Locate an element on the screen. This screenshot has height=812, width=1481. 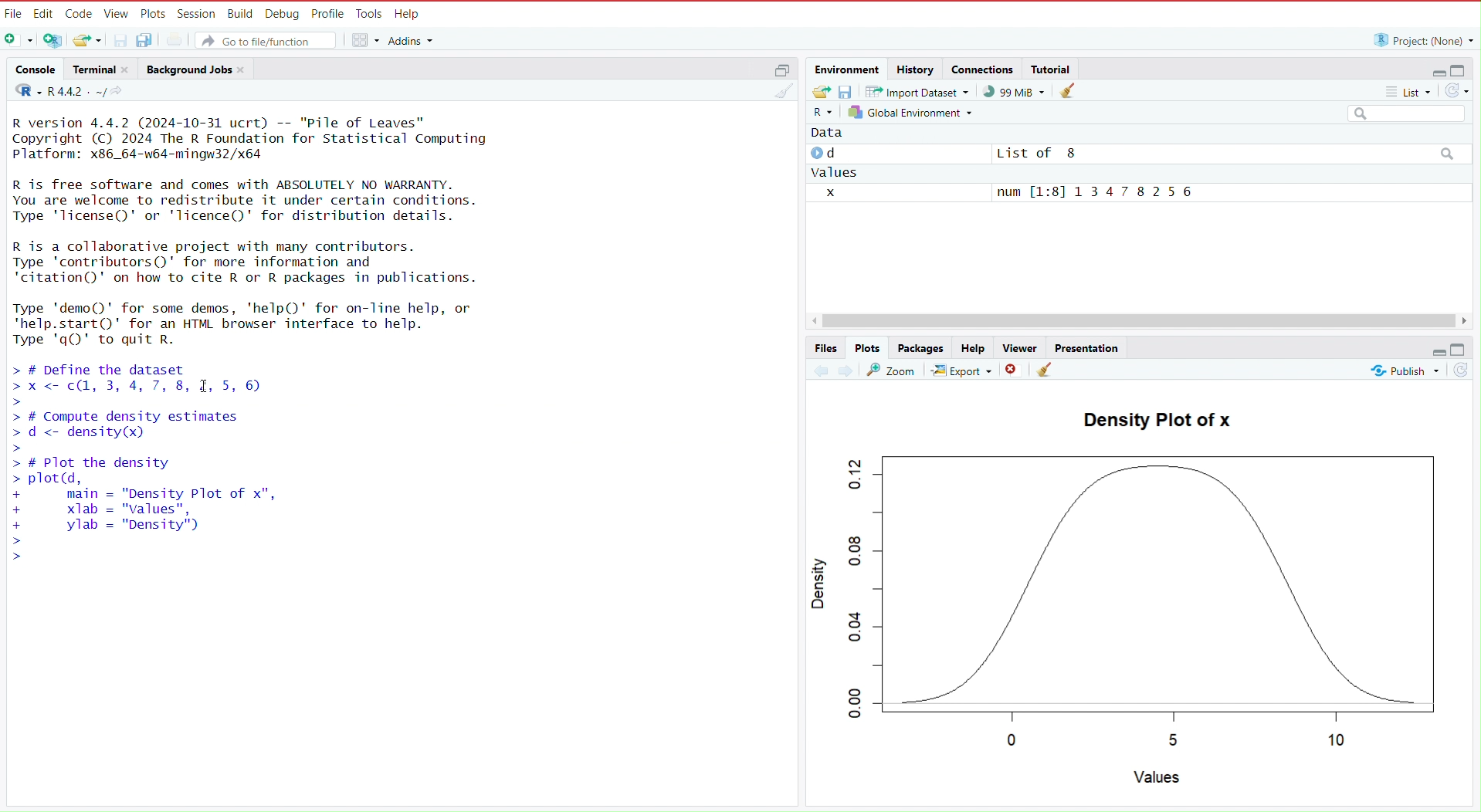
R is a collaborative project with many contributors.
Type 'contributors()' for more information and
'citation()' on how to cite R or R packages in publications. is located at coordinates (256, 262).